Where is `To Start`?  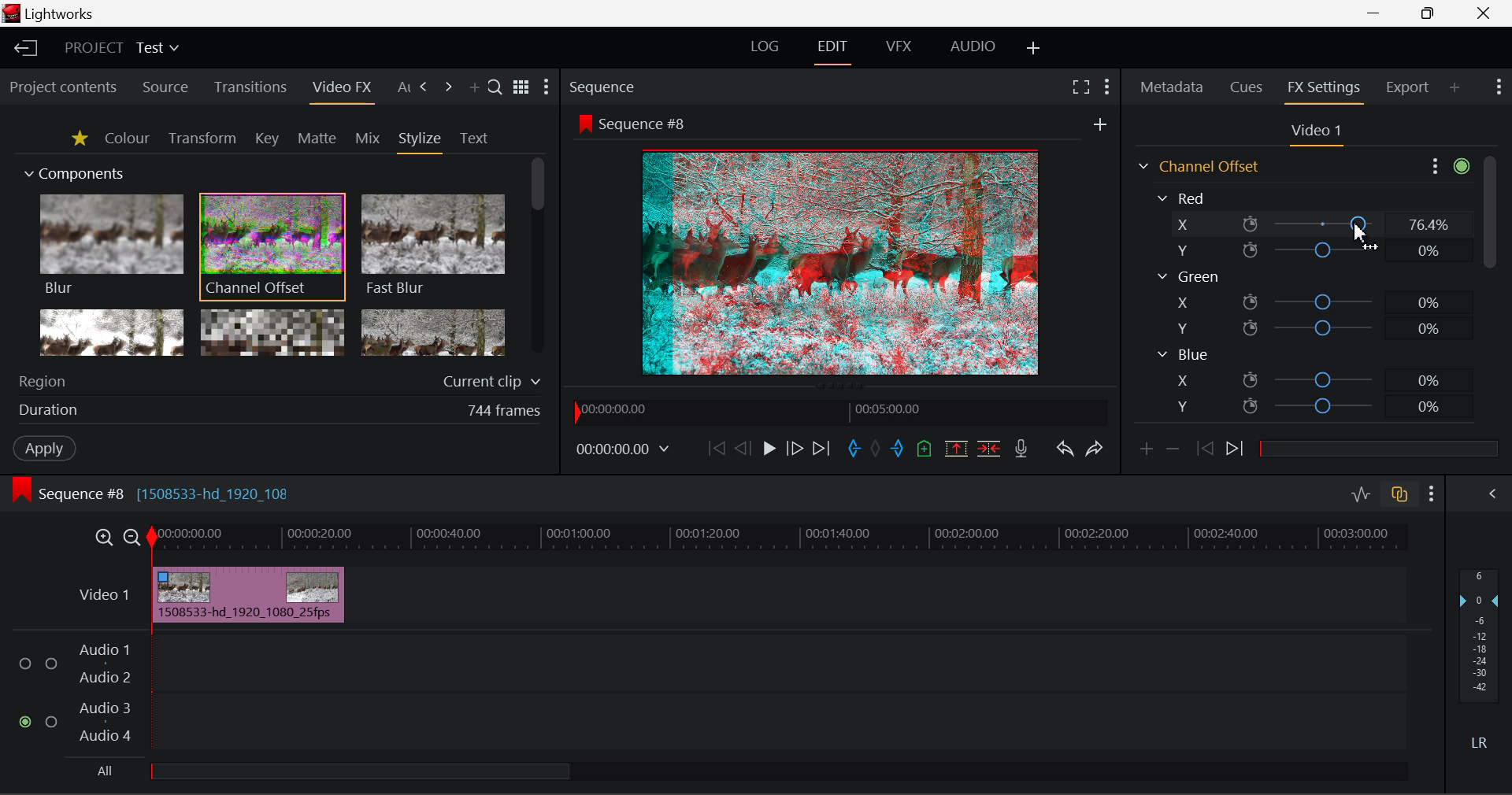
To Start is located at coordinates (717, 447).